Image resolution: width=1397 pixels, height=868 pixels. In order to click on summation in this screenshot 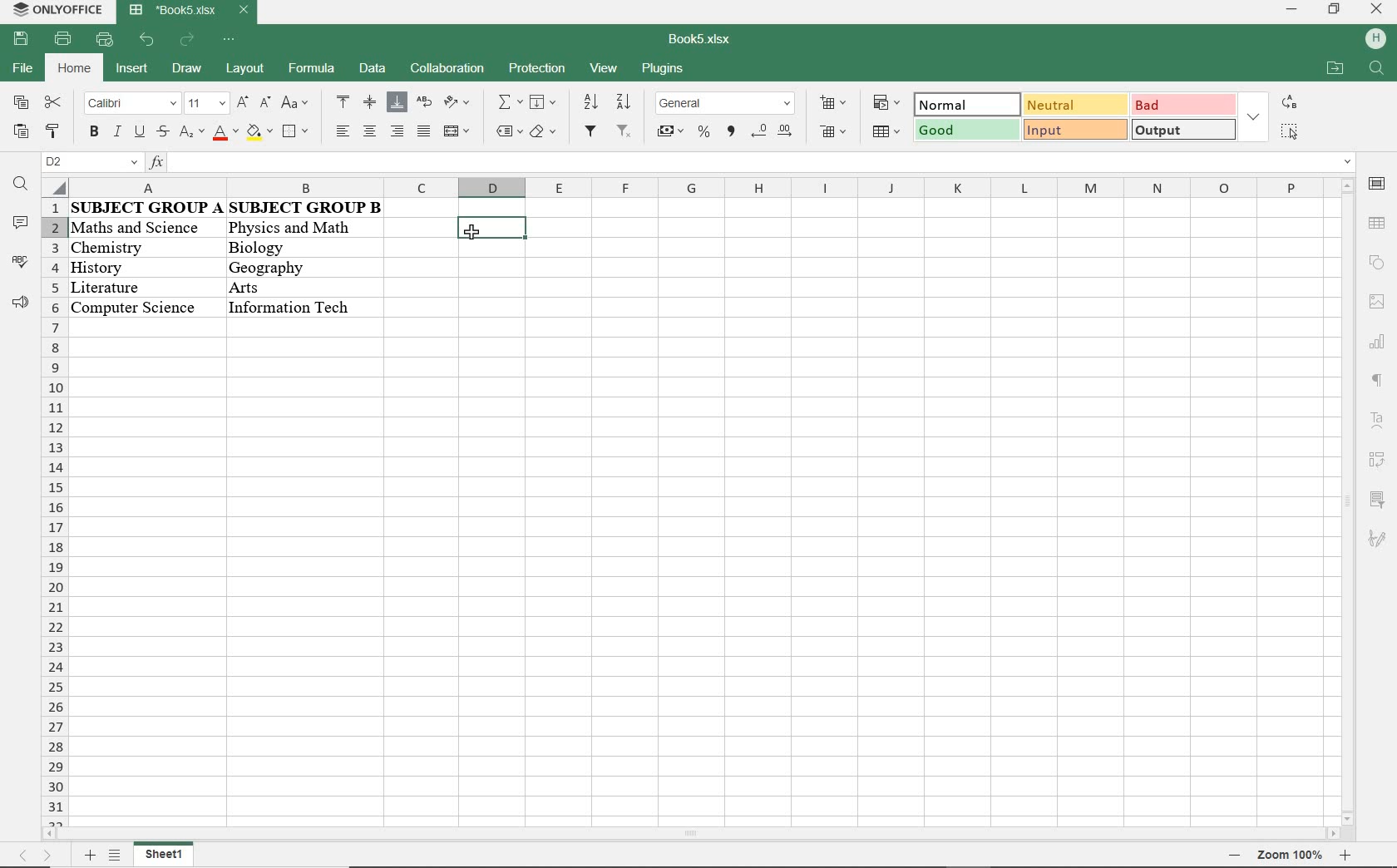, I will do `click(509, 103)`.